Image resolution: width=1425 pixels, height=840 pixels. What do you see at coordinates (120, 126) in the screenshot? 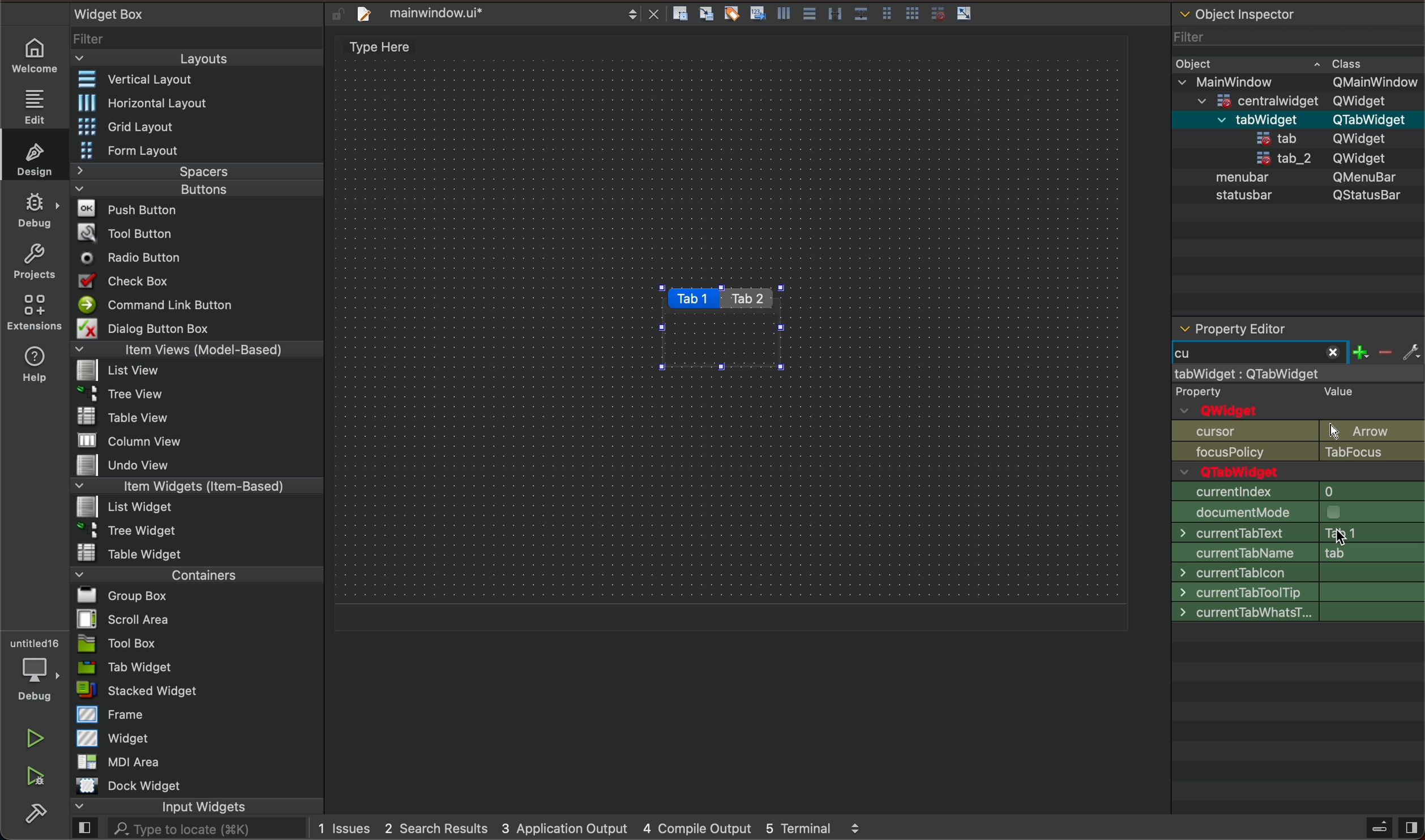
I see ` Grid Layout` at bounding box center [120, 126].